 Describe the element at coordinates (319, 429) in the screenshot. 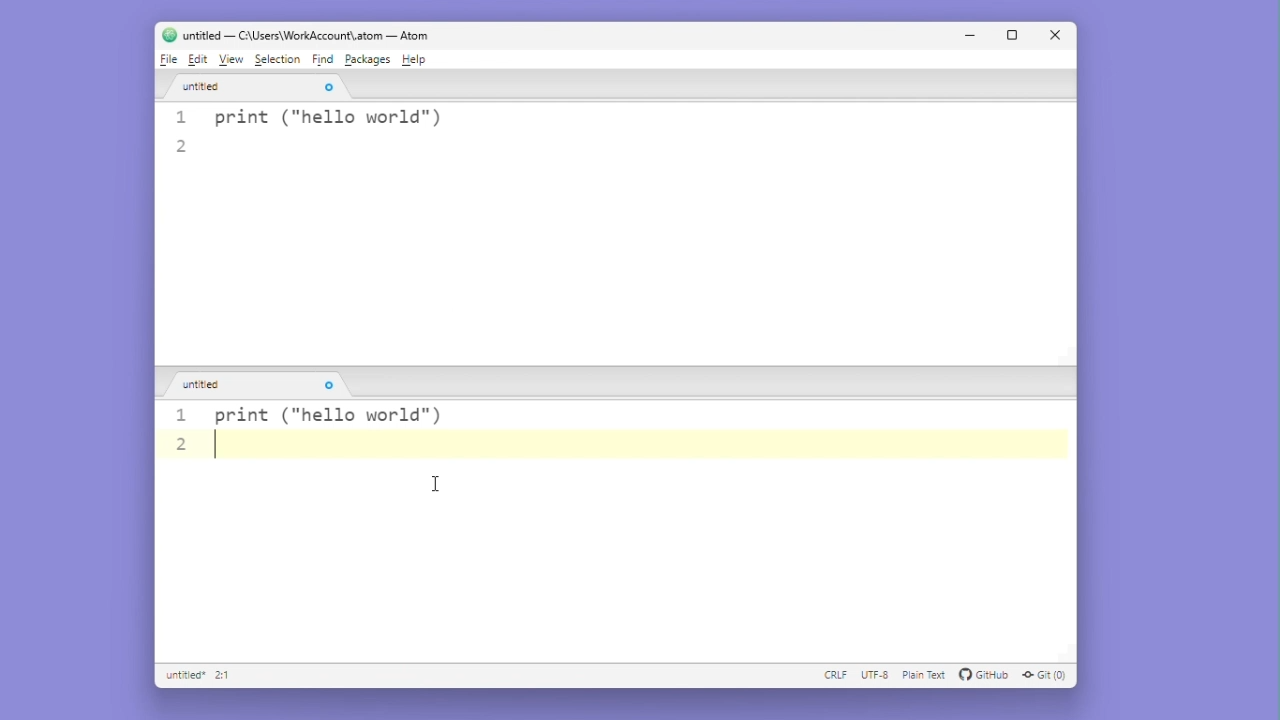

I see `1 print ("hello world") 2` at that location.